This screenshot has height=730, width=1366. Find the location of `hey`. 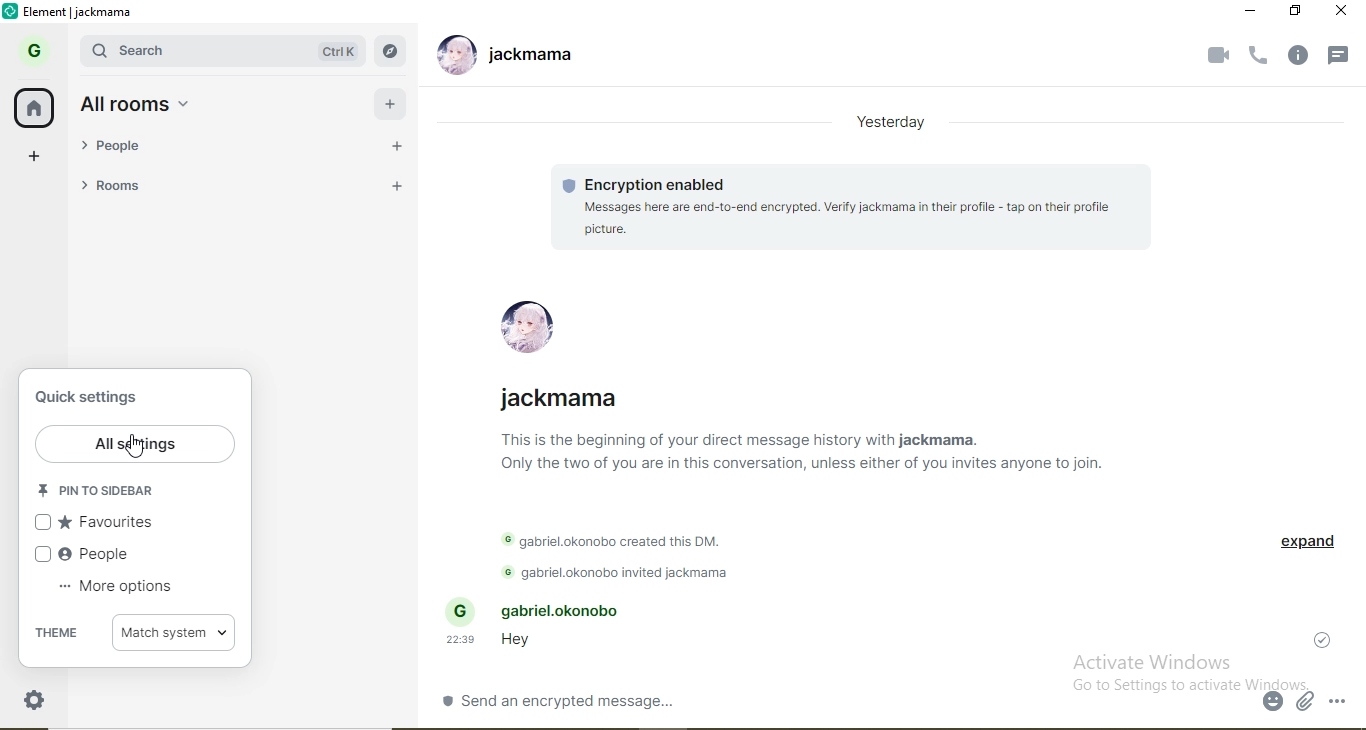

hey is located at coordinates (515, 643).